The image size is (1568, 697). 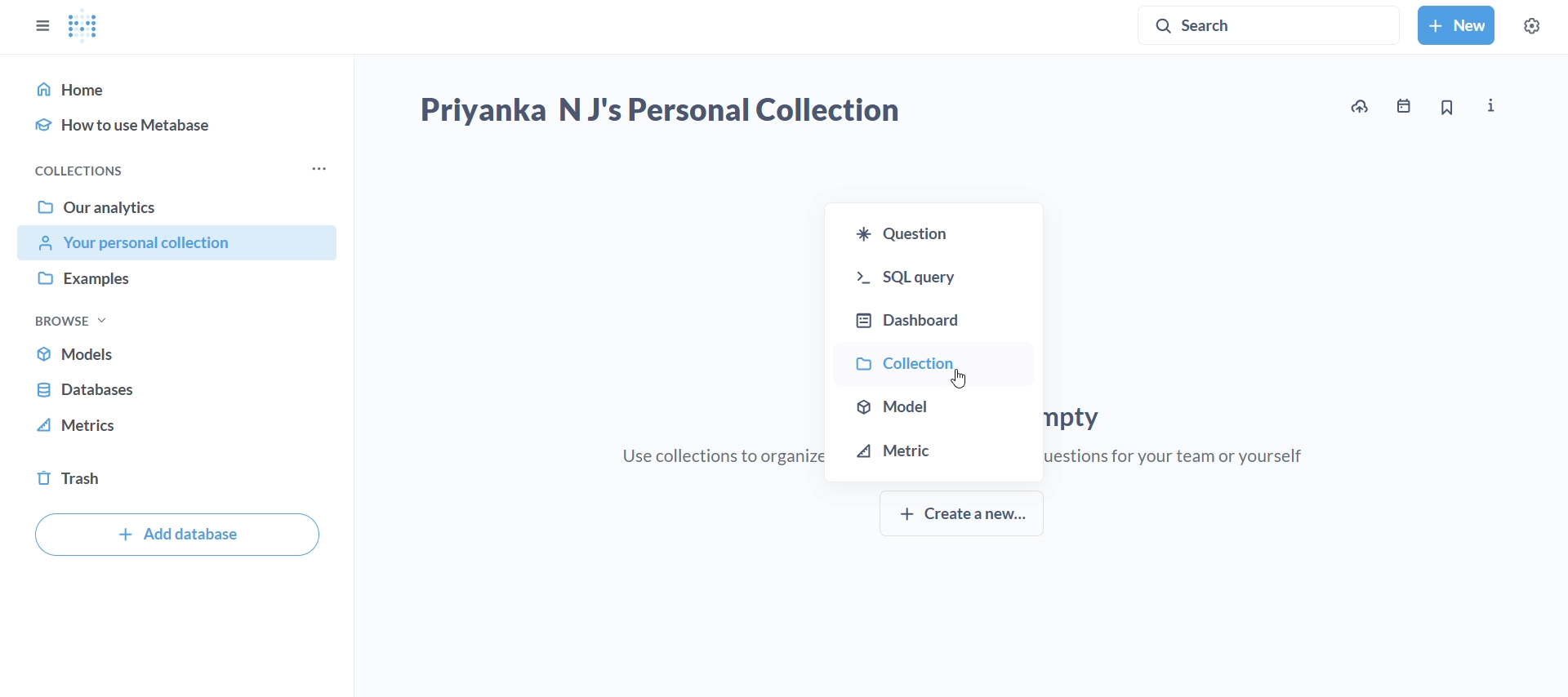 I want to click on metabase logo, so click(x=84, y=25).